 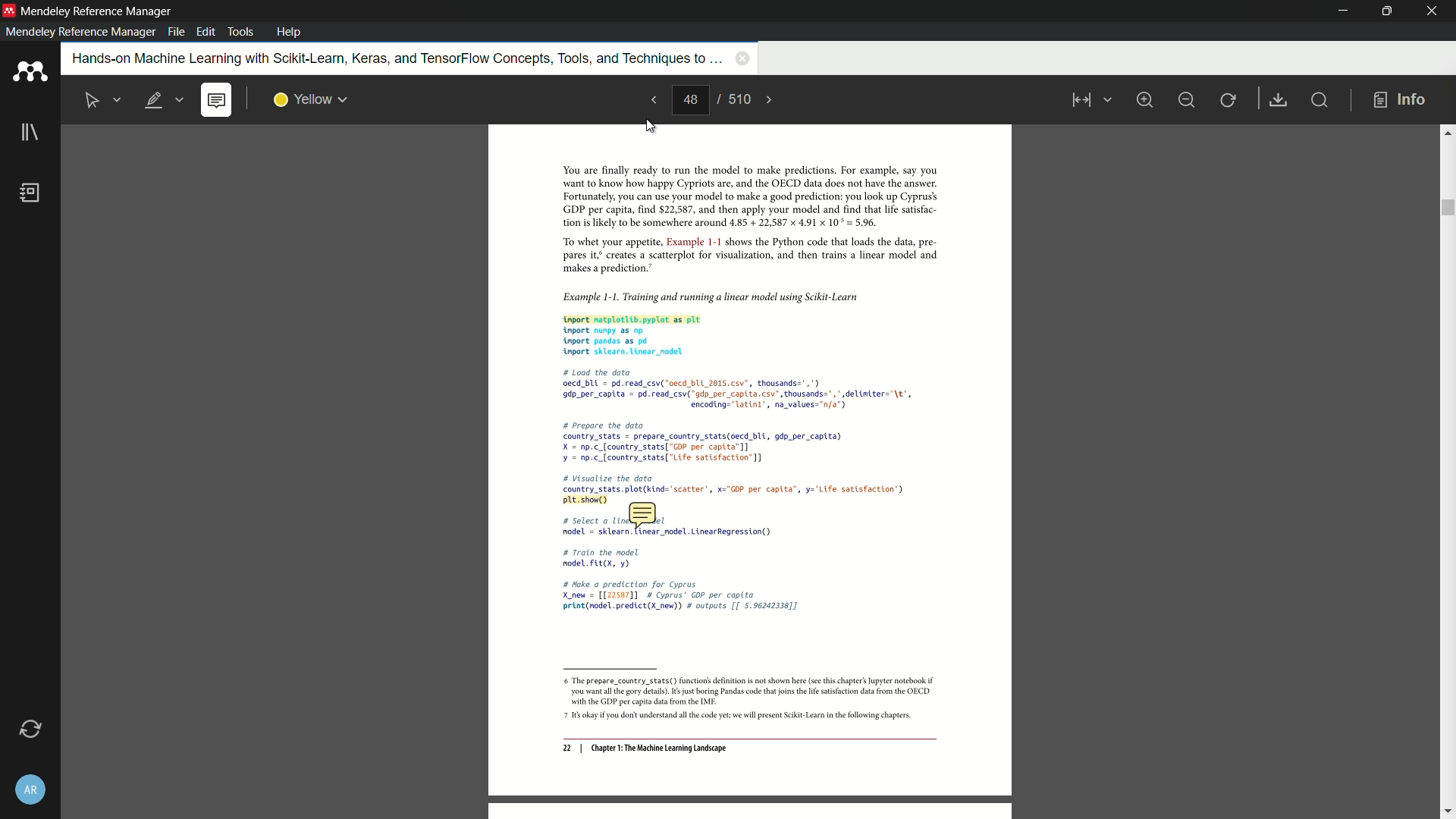 What do you see at coordinates (30, 133) in the screenshot?
I see `library` at bounding box center [30, 133].